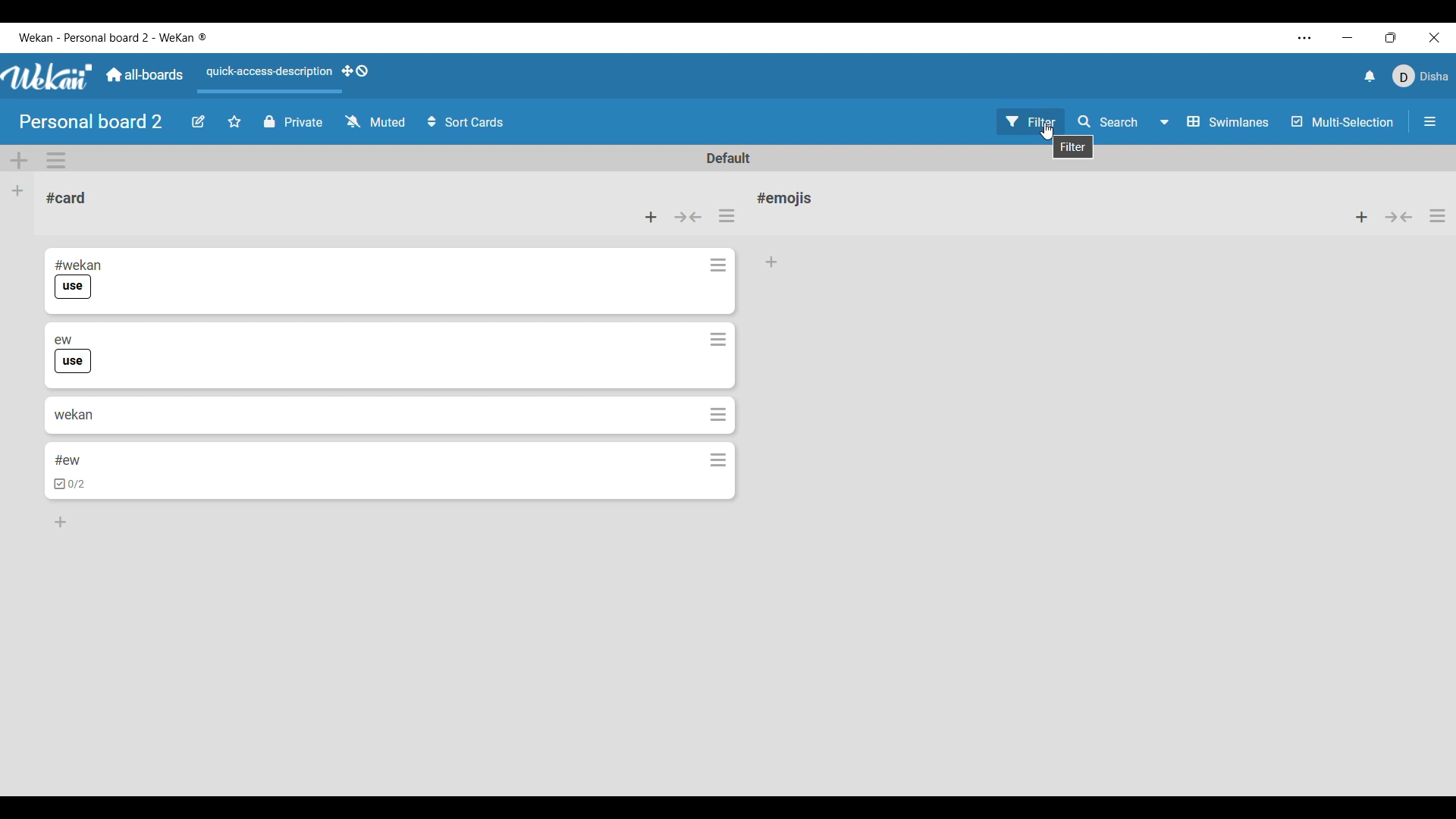 The width and height of the screenshot is (1456, 819). I want to click on Swimlane actions, so click(56, 160).